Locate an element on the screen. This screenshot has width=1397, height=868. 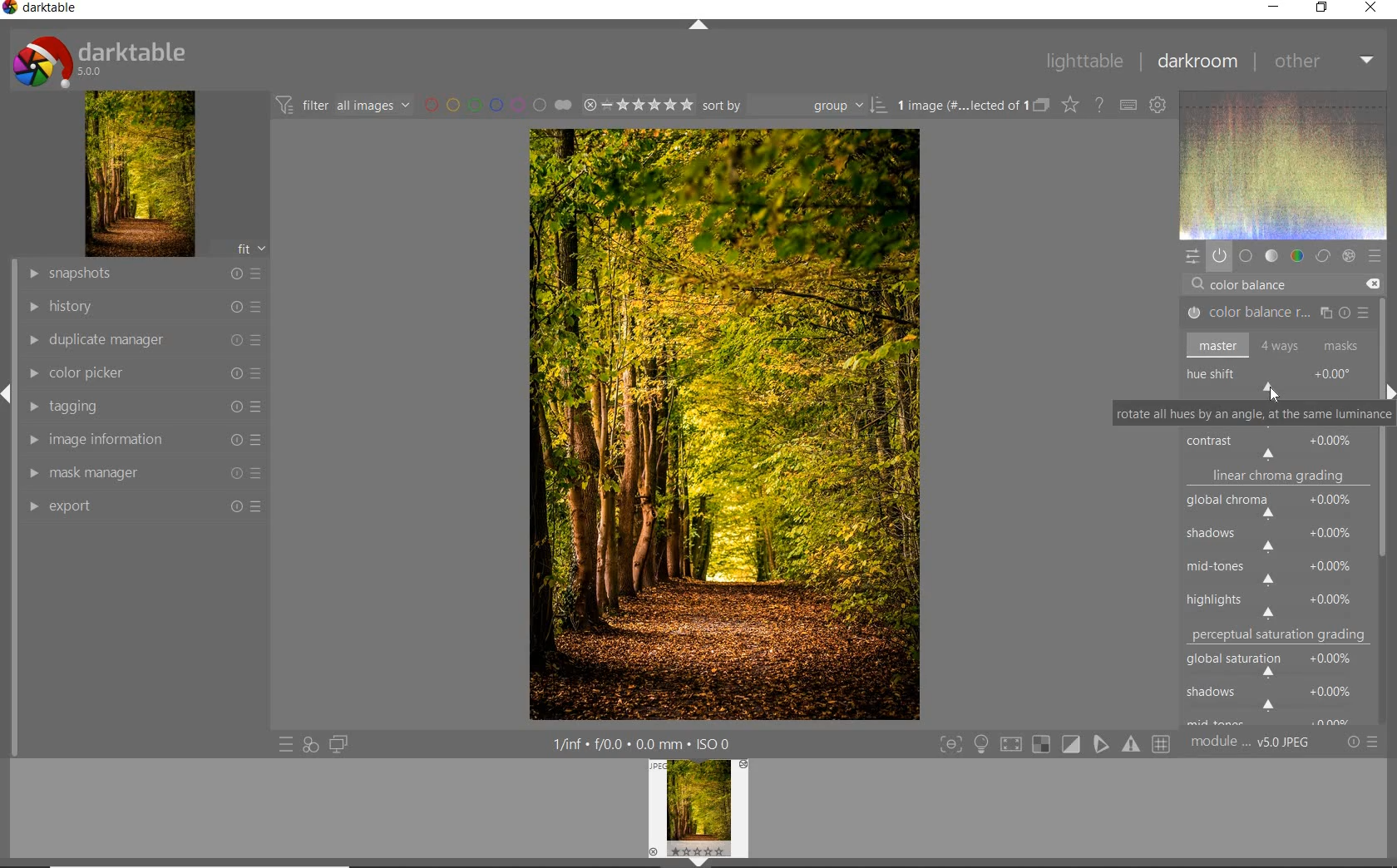
correct is located at coordinates (1322, 257).